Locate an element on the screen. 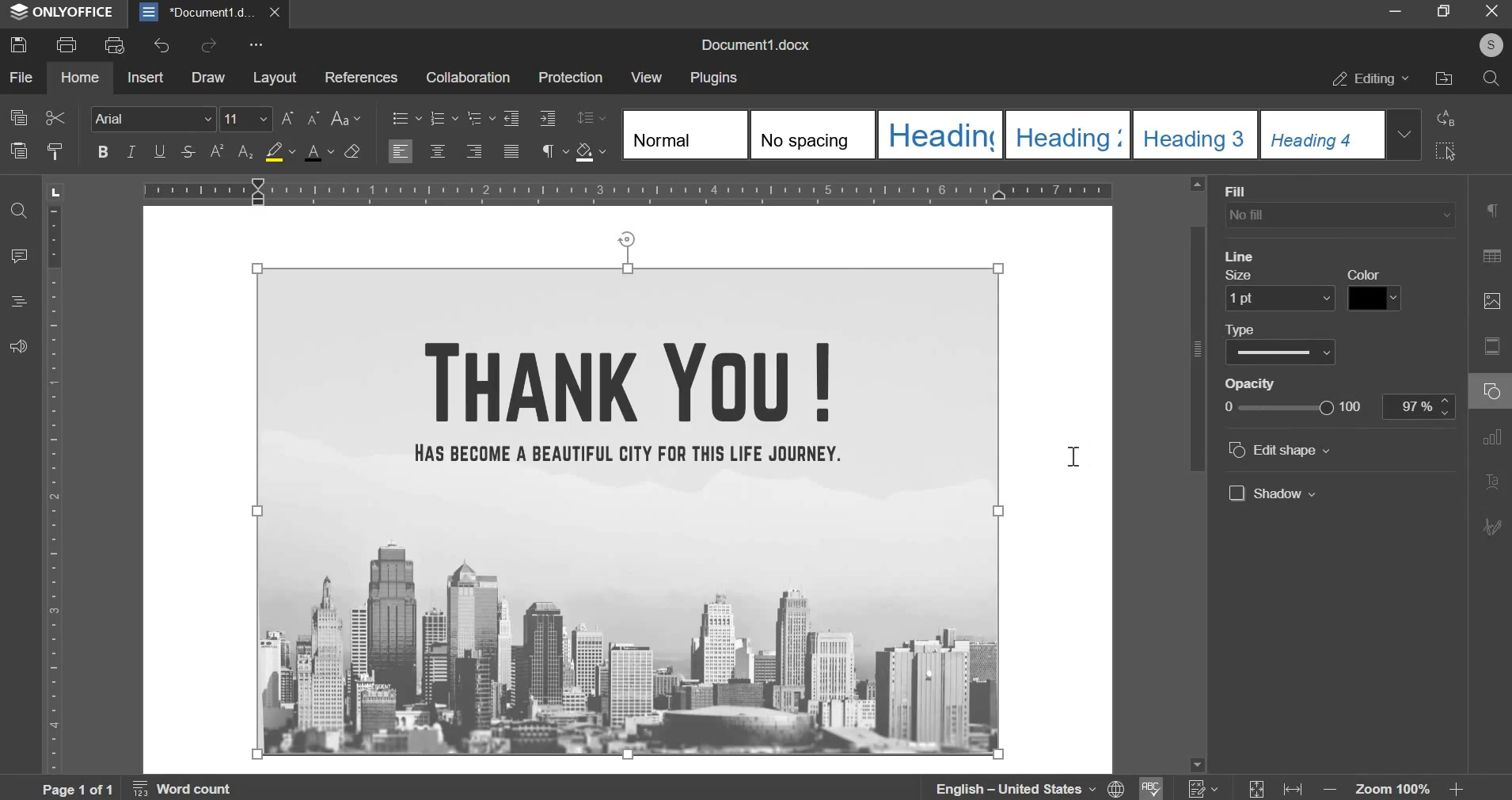 Image resolution: width=1512 pixels, height=800 pixels. Word Count is located at coordinates (185, 787).